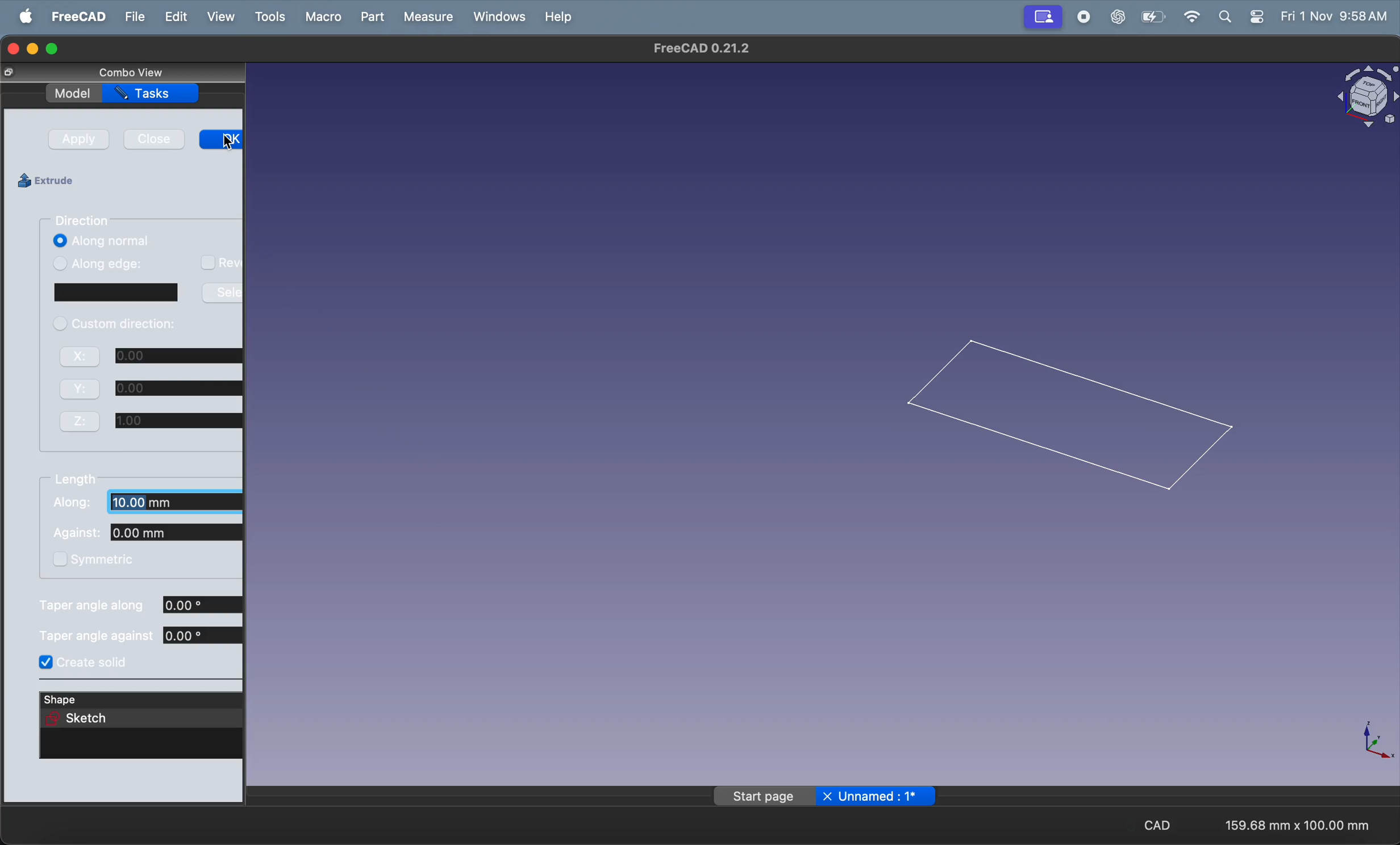 The image size is (1400, 845). Describe the element at coordinates (155, 388) in the screenshot. I see `y axis co ordinate` at that location.